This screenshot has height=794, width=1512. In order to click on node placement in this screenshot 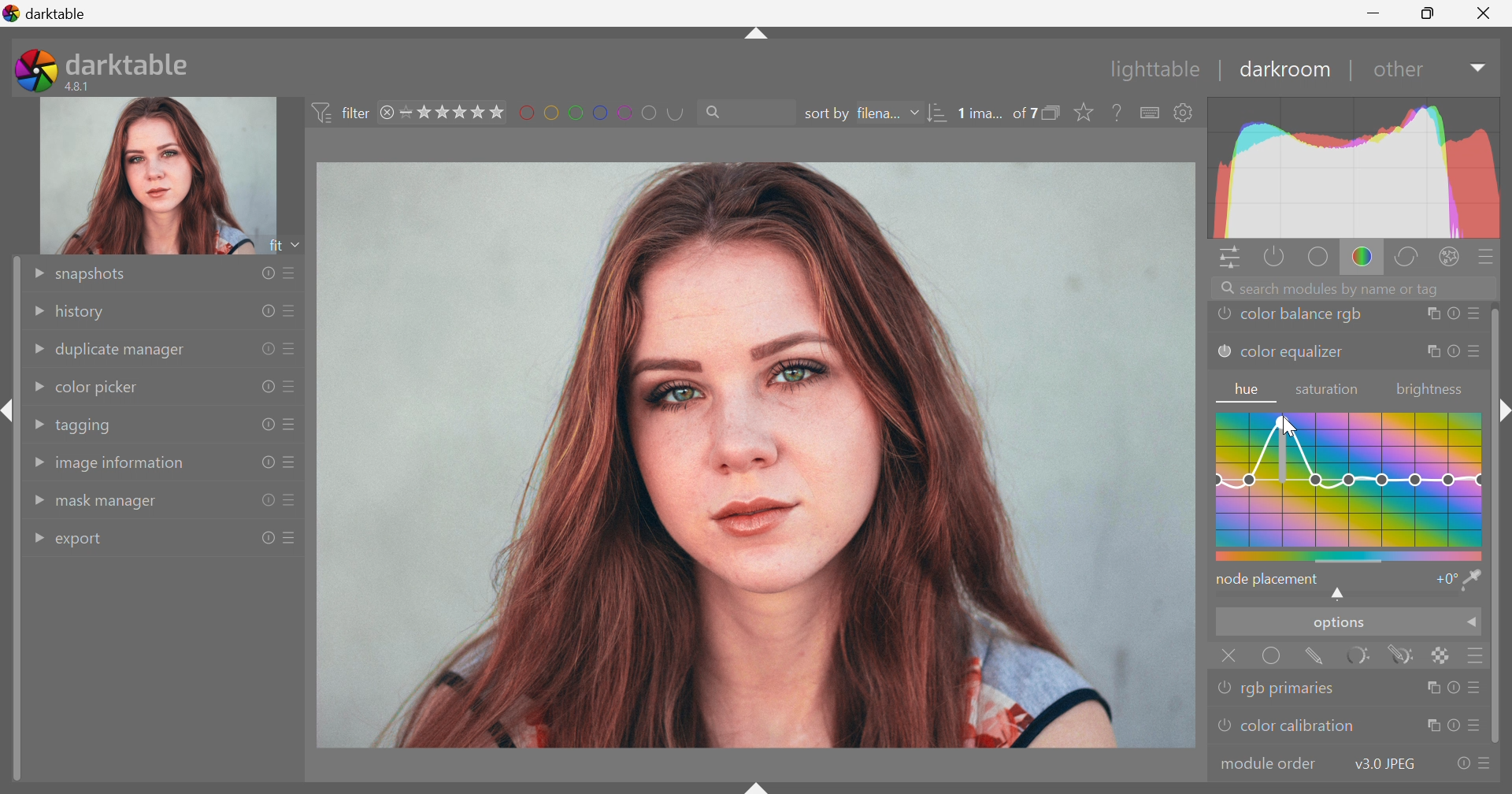, I will do `click(1269, 579)`.